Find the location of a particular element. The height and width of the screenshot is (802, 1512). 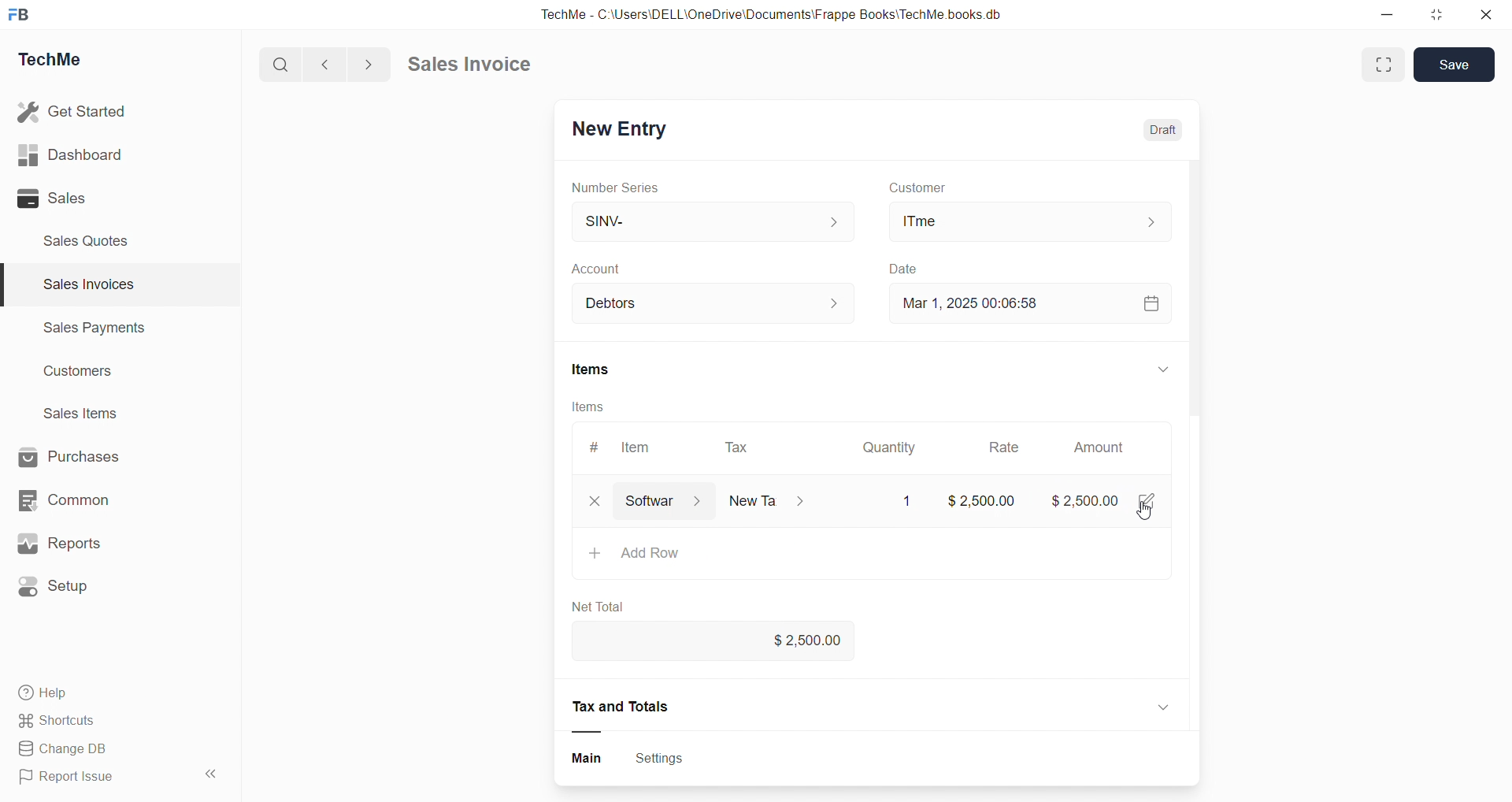

Sales Items is located at coordinates (87, 415).